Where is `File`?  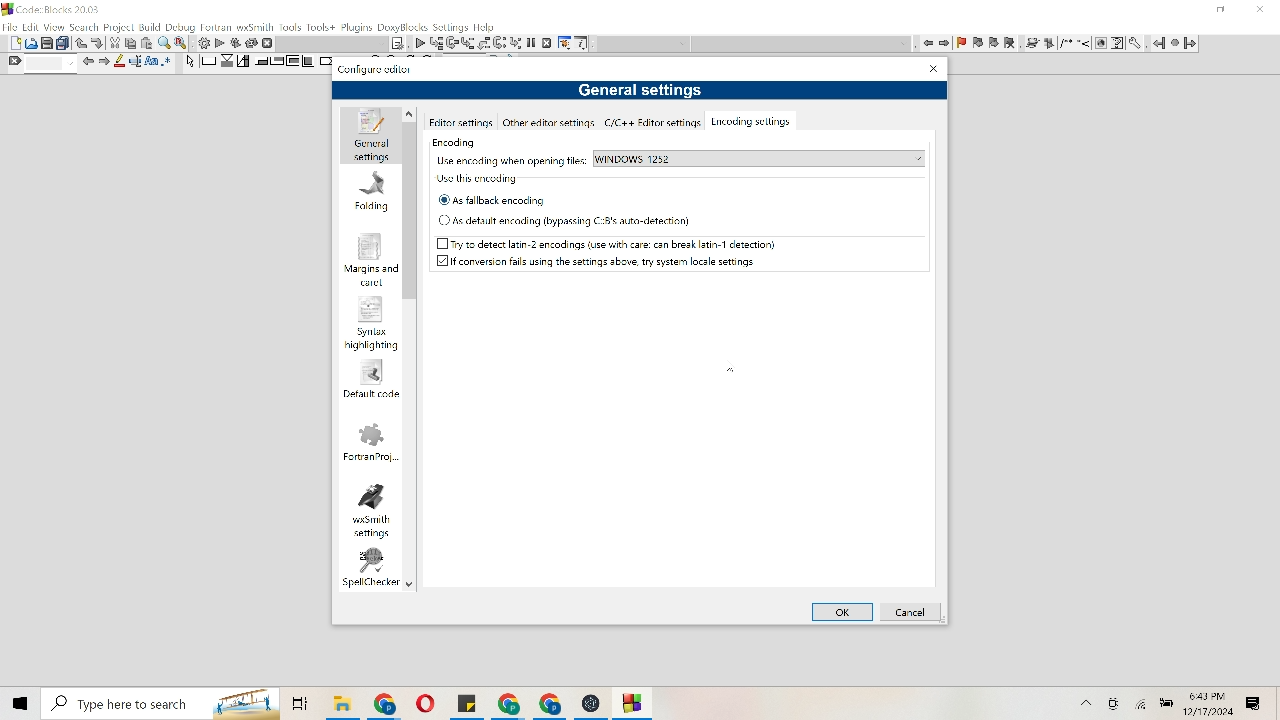 File is located at coordinates (591, 704).